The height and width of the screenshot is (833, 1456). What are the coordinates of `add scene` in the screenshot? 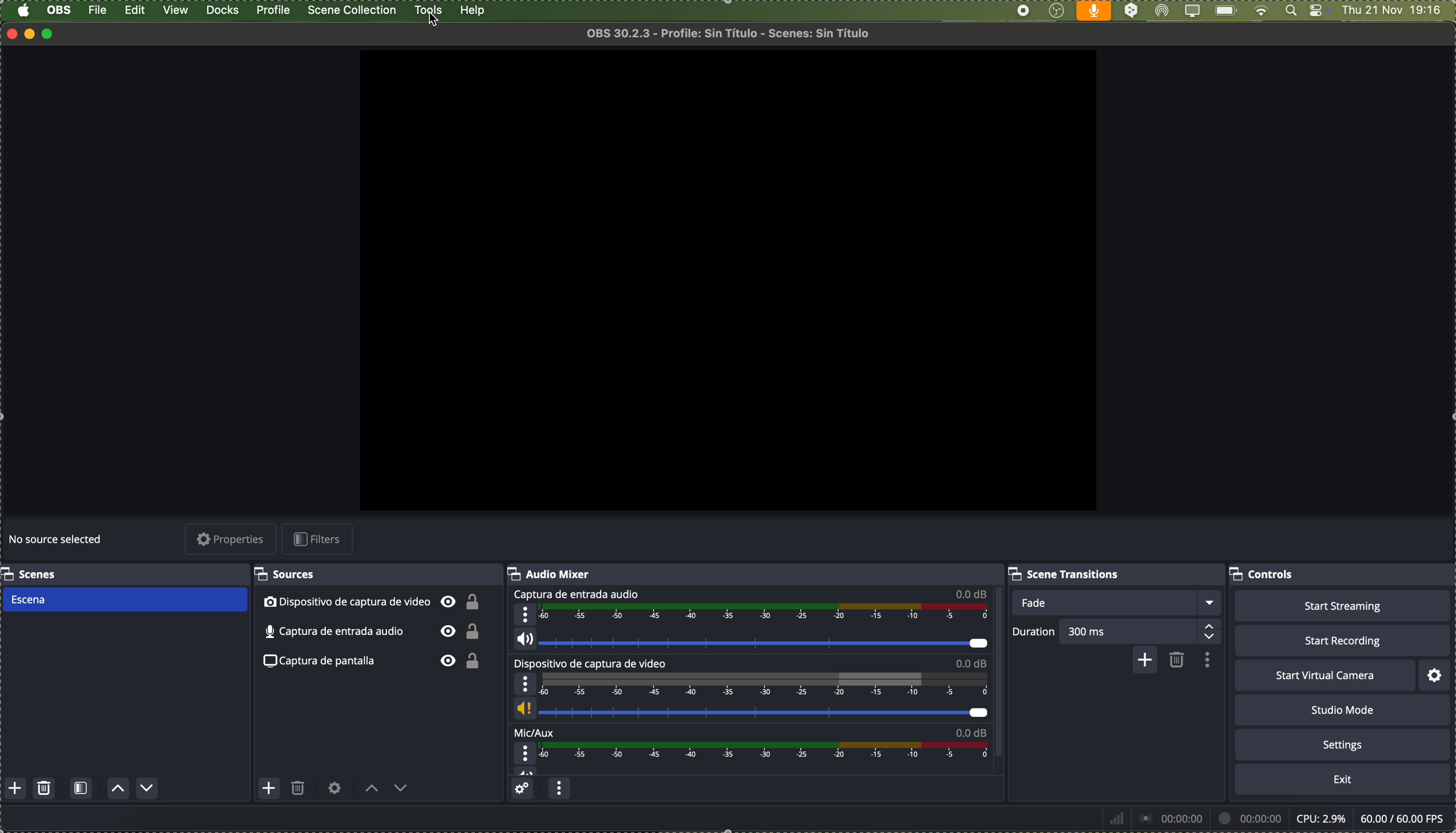 It's located at (15, 789).